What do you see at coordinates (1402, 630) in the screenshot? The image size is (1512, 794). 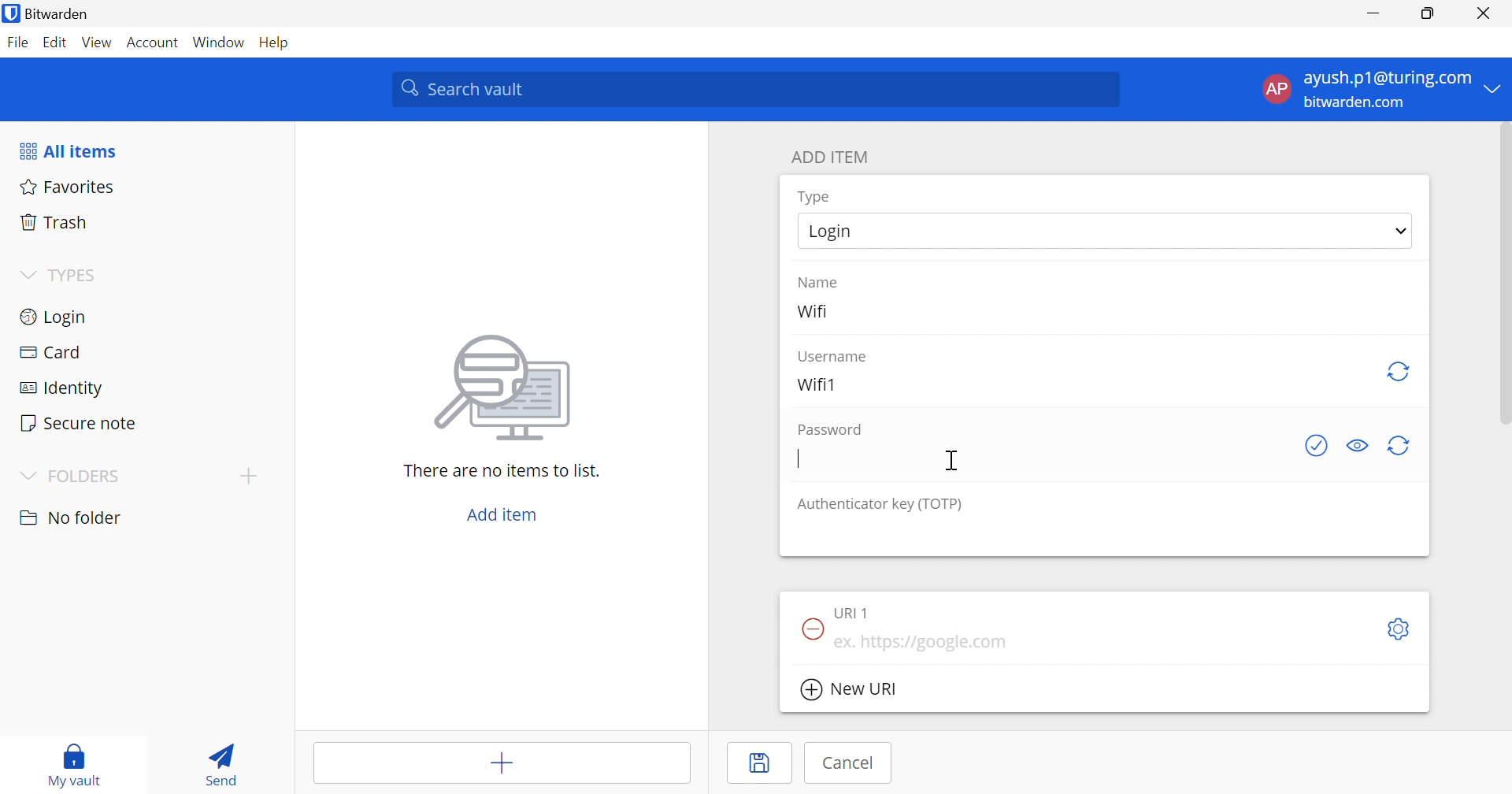 I see `Settings` at bounding box center [1402, 630].